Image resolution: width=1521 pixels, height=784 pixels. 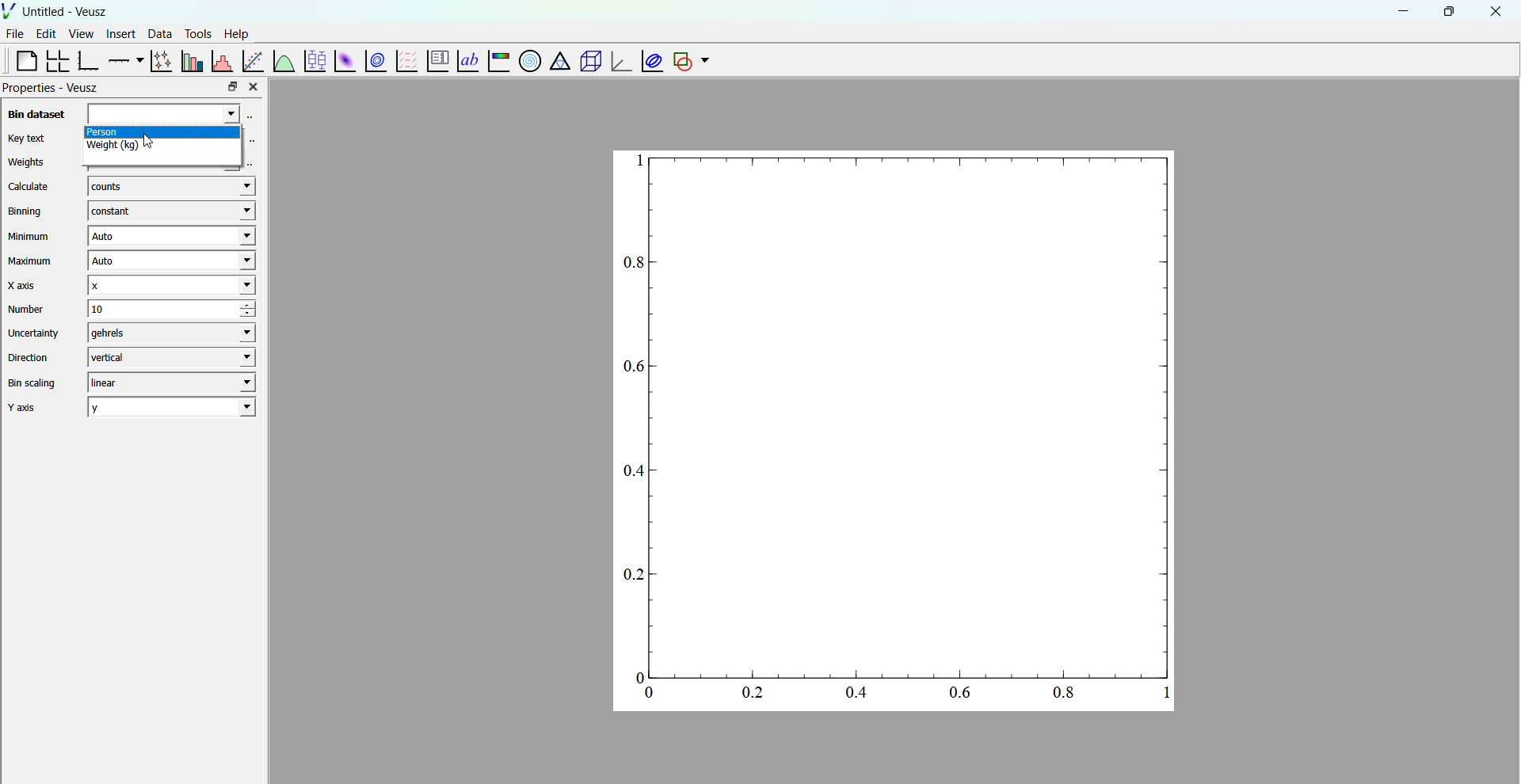 I want to click on plot key, so click(x=435, y=62).